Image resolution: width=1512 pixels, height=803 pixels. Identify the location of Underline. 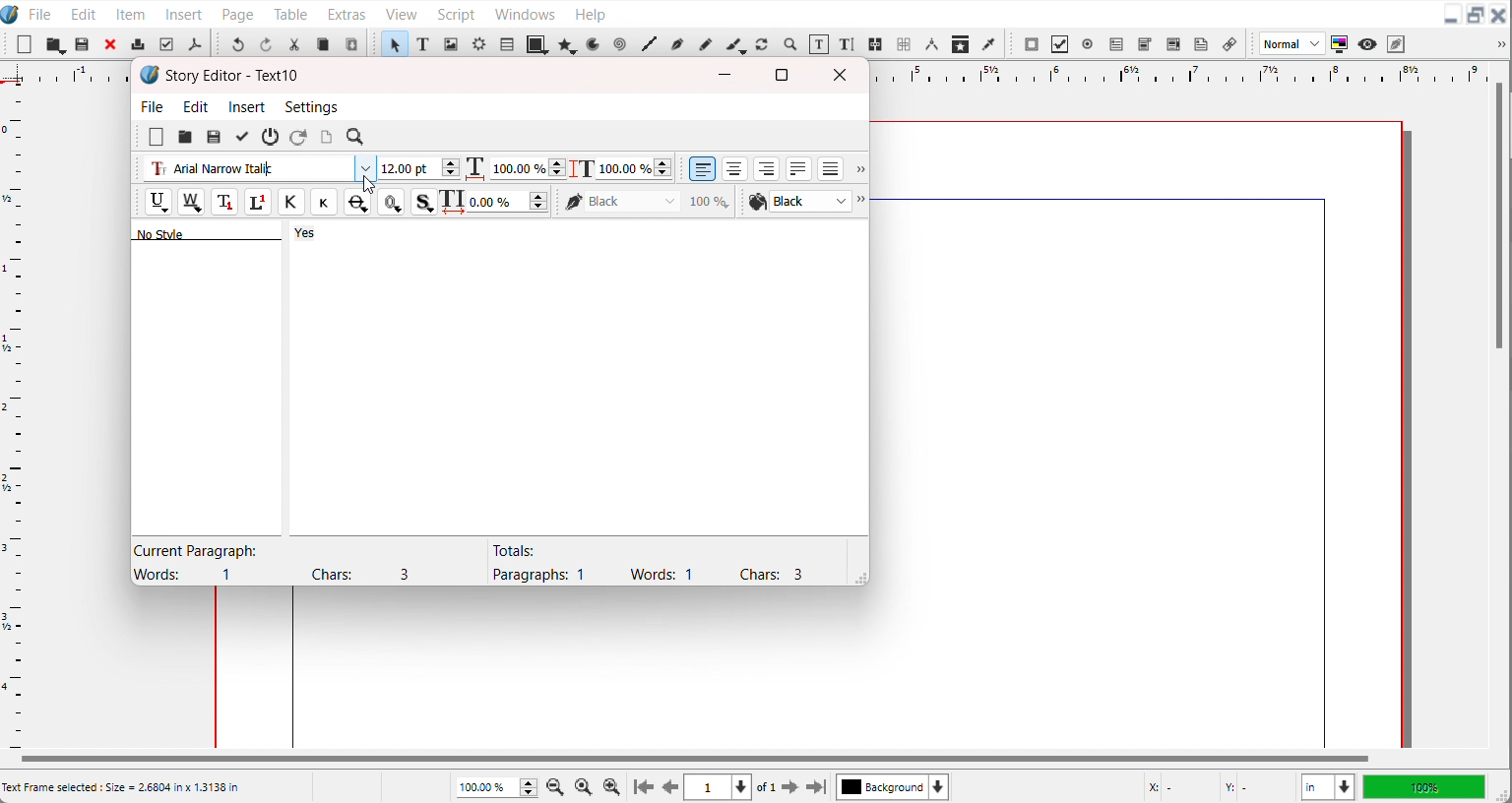
(157, 202).